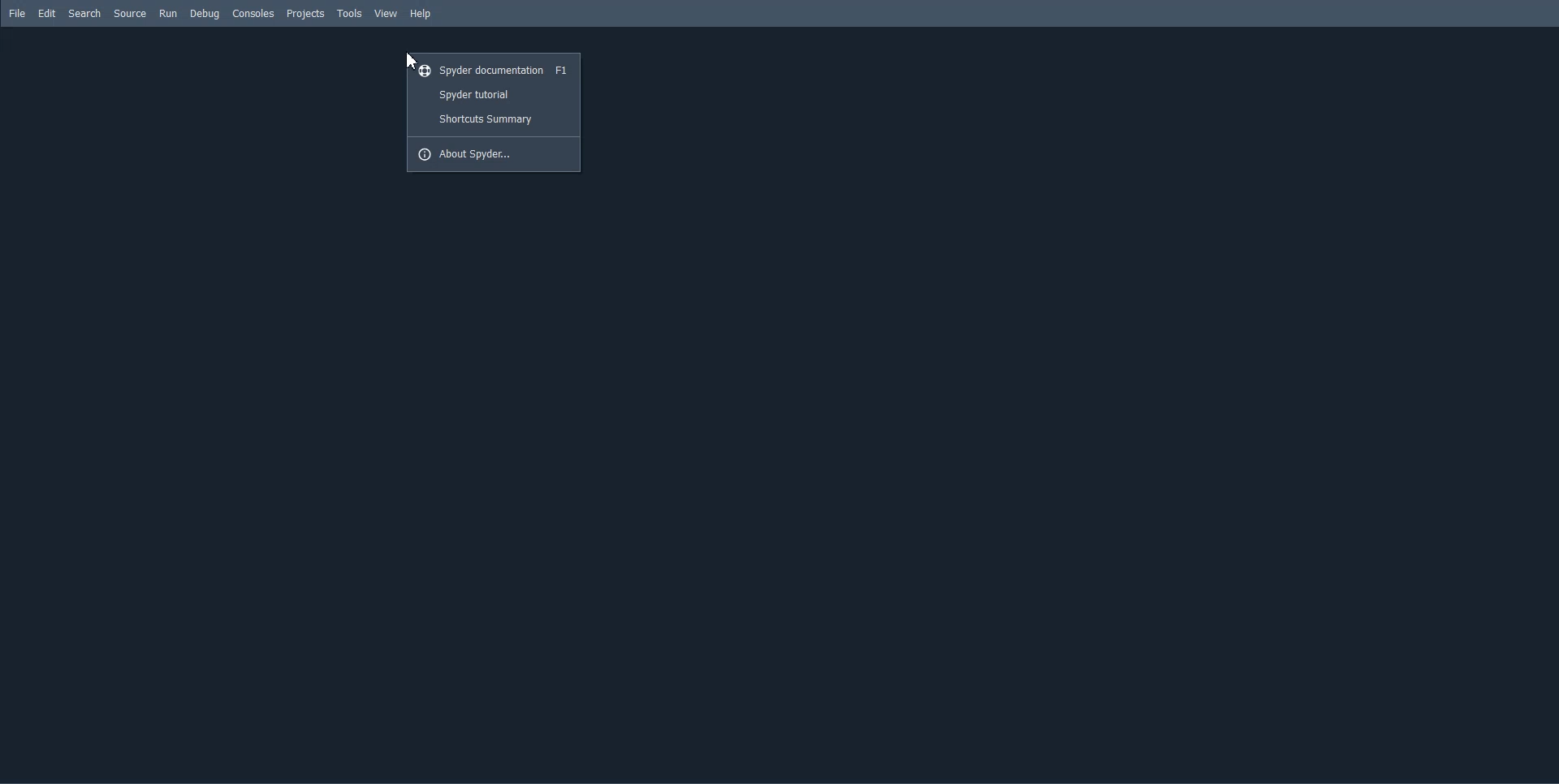 Image resolution: width=1559 pixels, height=784 pixels. What do you see at coordinates (47, 13) in the screenshot?
I see `Edit` at bounding box center [47, 13].